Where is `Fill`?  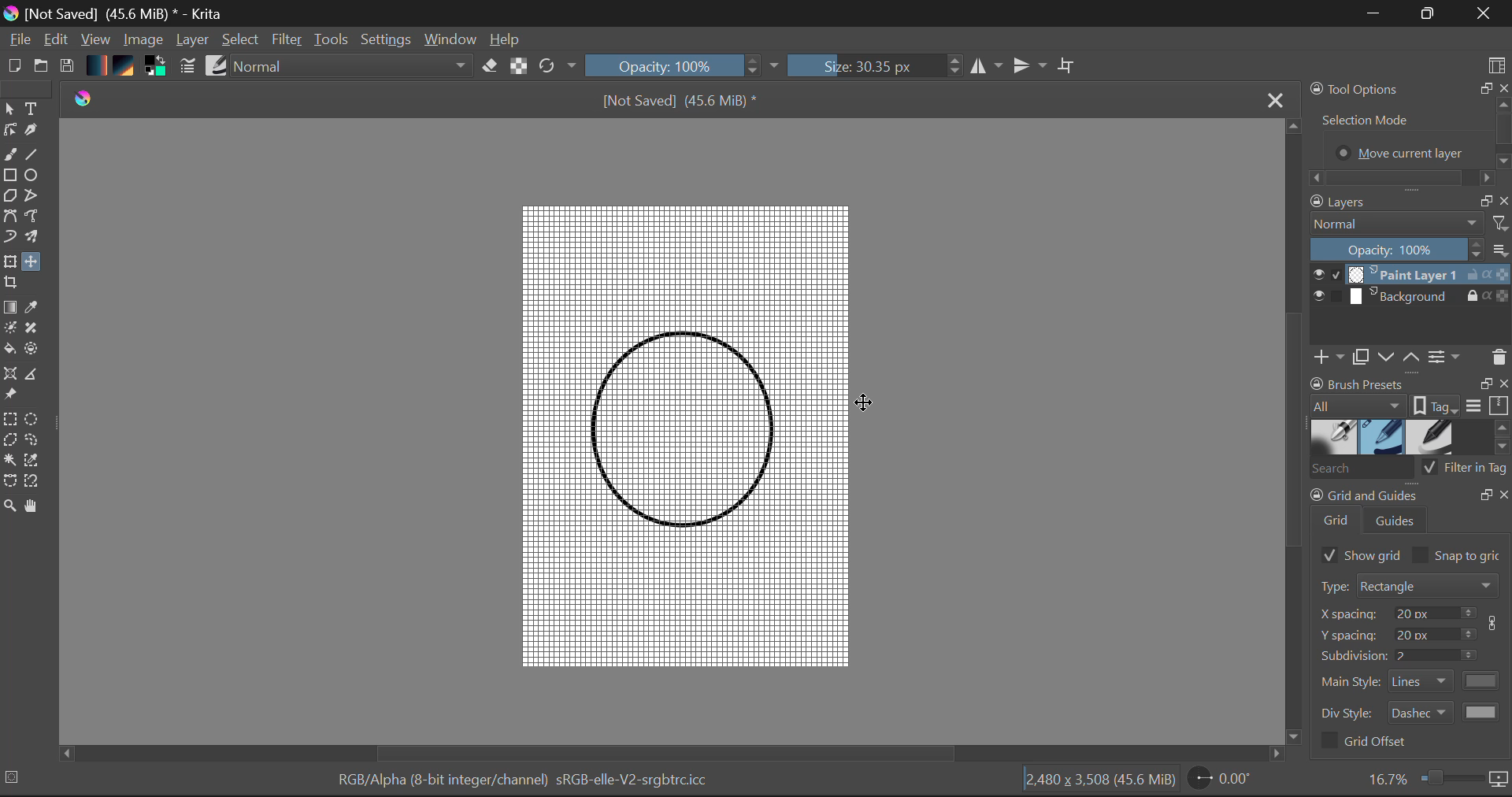 Fill is located at coordinates (9, 350).